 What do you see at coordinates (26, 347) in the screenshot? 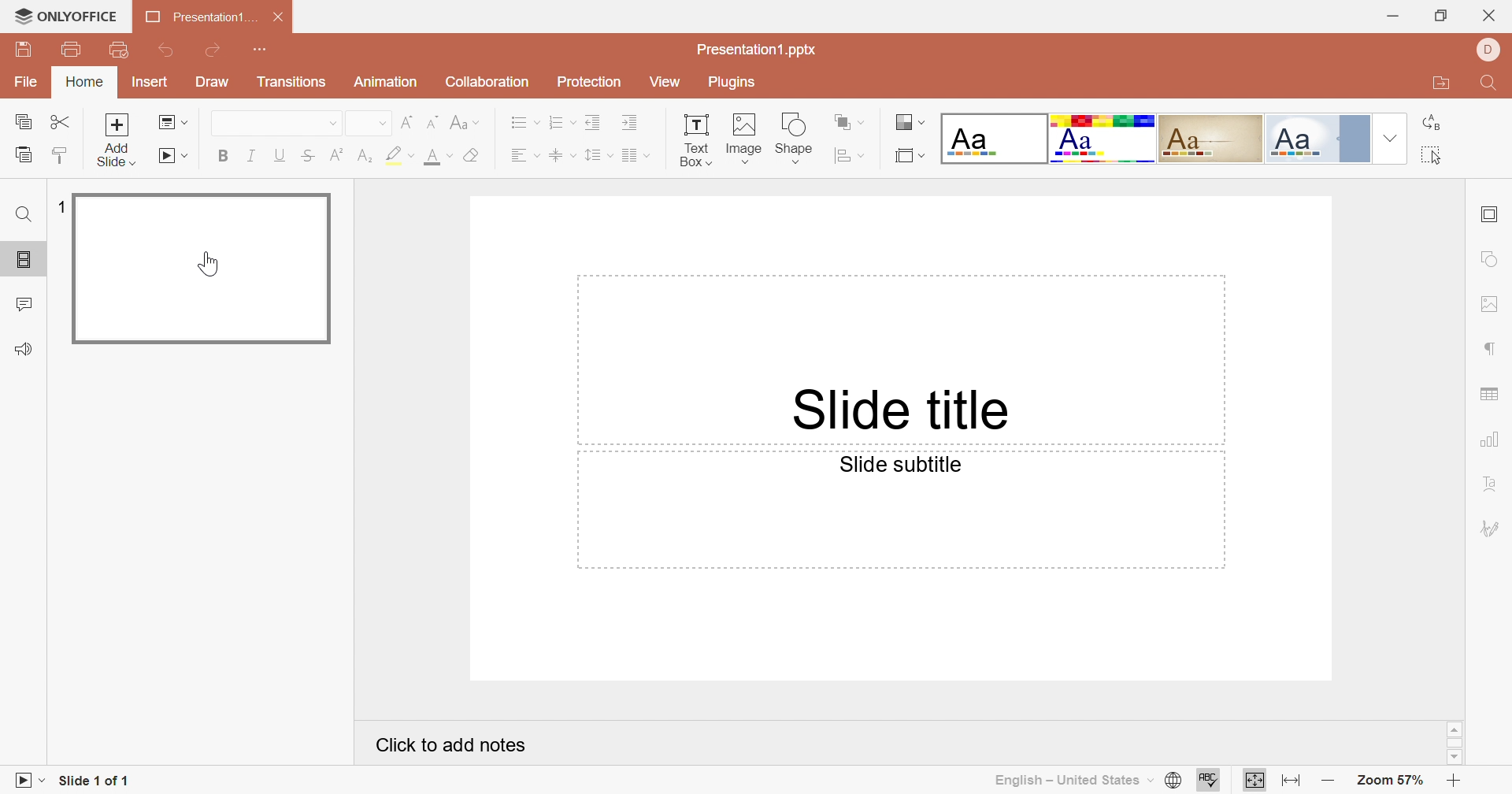
I see `Feedback and support` at bounding box center [26, 347].